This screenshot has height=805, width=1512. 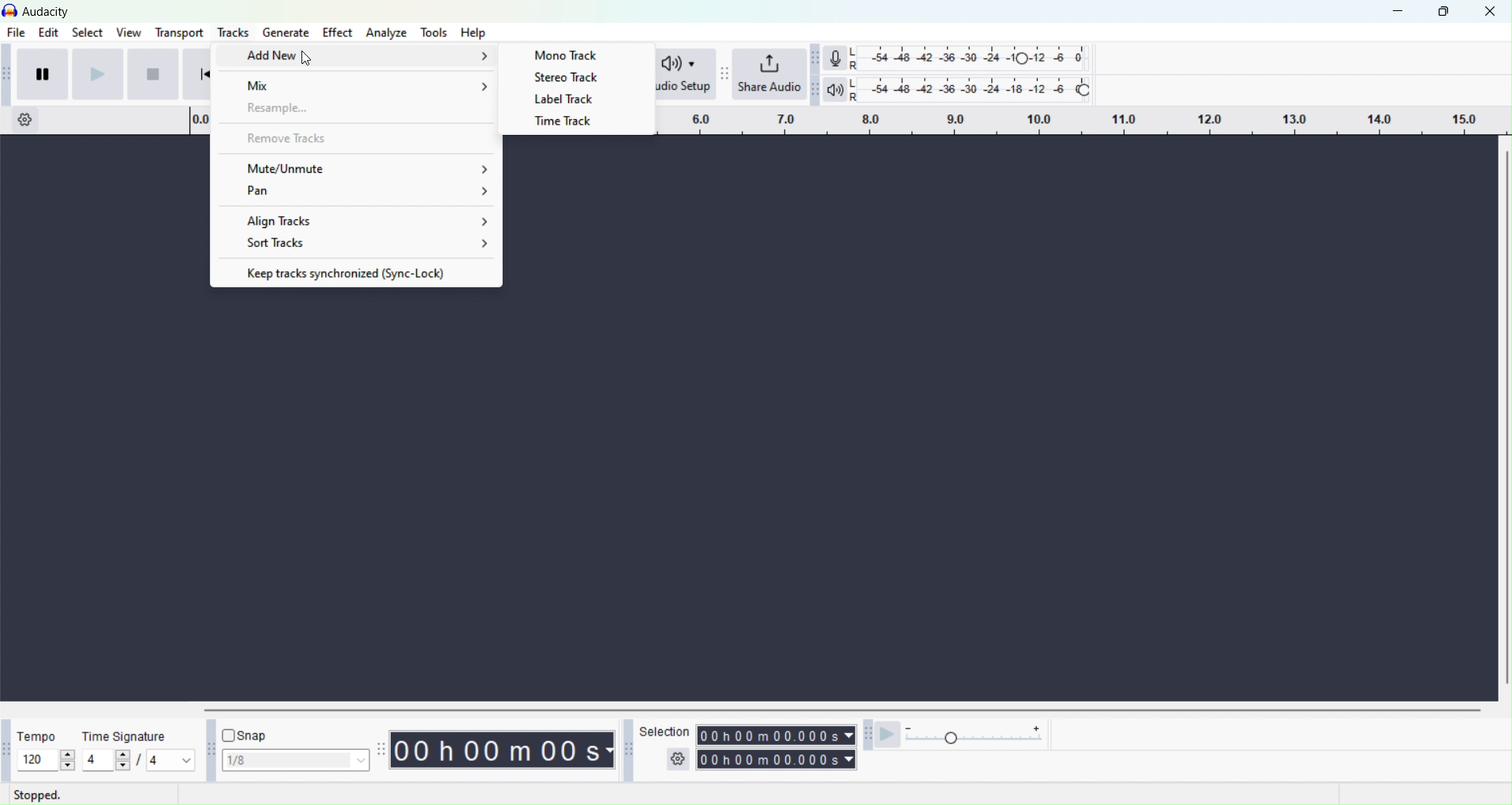 What do you see at coordinates (841, 709) in the screenshot?
I see `Vertical scroll bar` at bounding box center [841, 709].